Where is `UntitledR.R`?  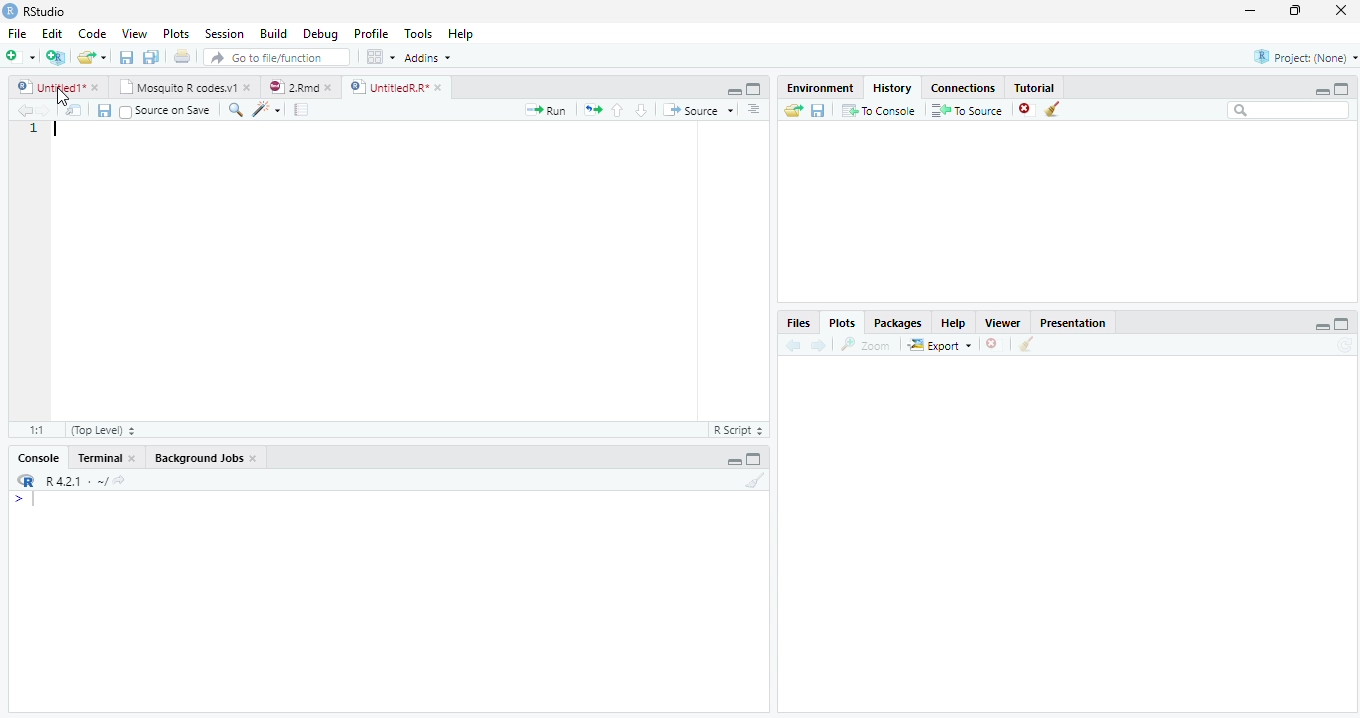
UntitledR.R is located at coordinates (396, 86).